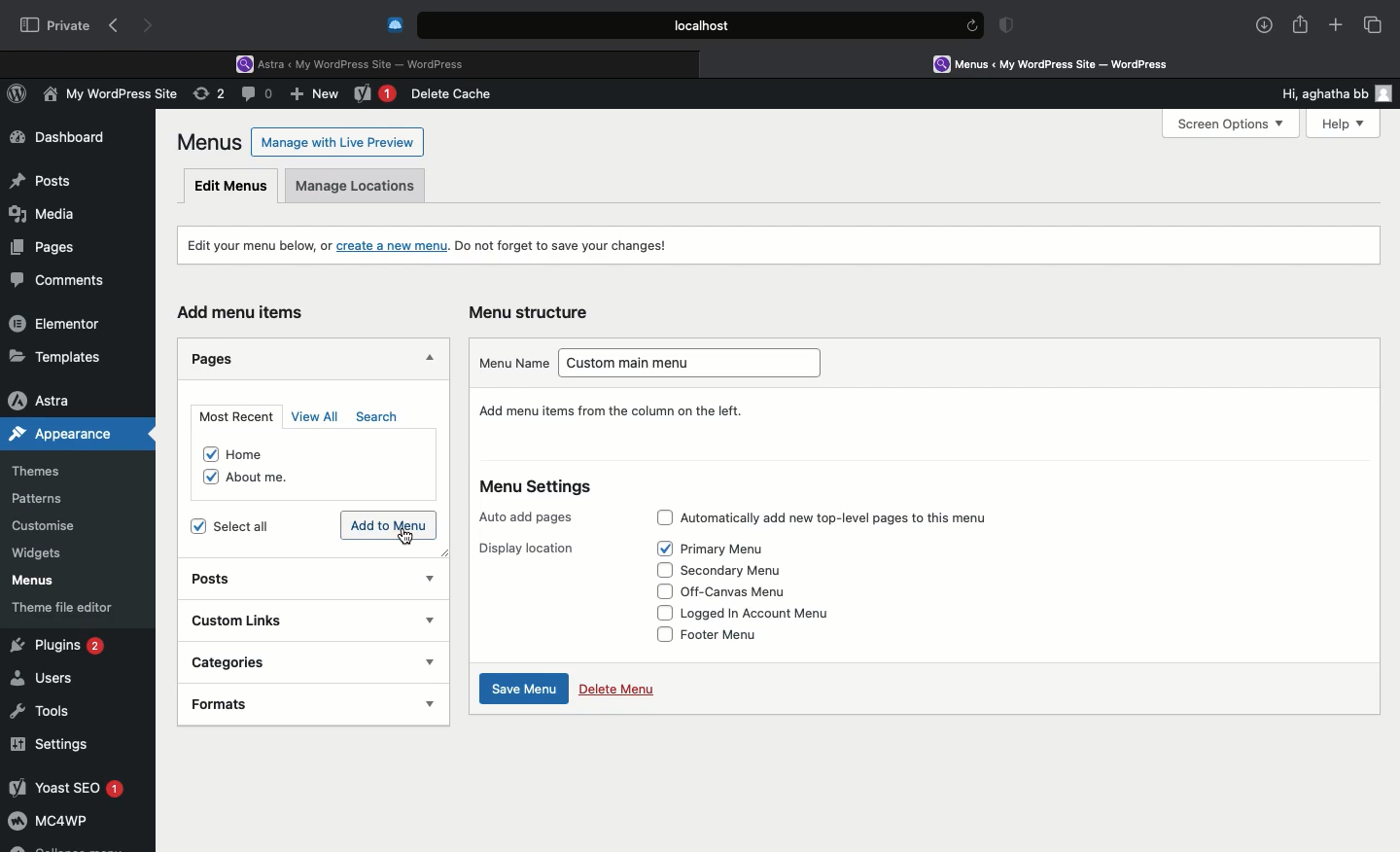  Describe the element at coordinates (193, 525) in the screenshot. I see `checkbox` at that location.